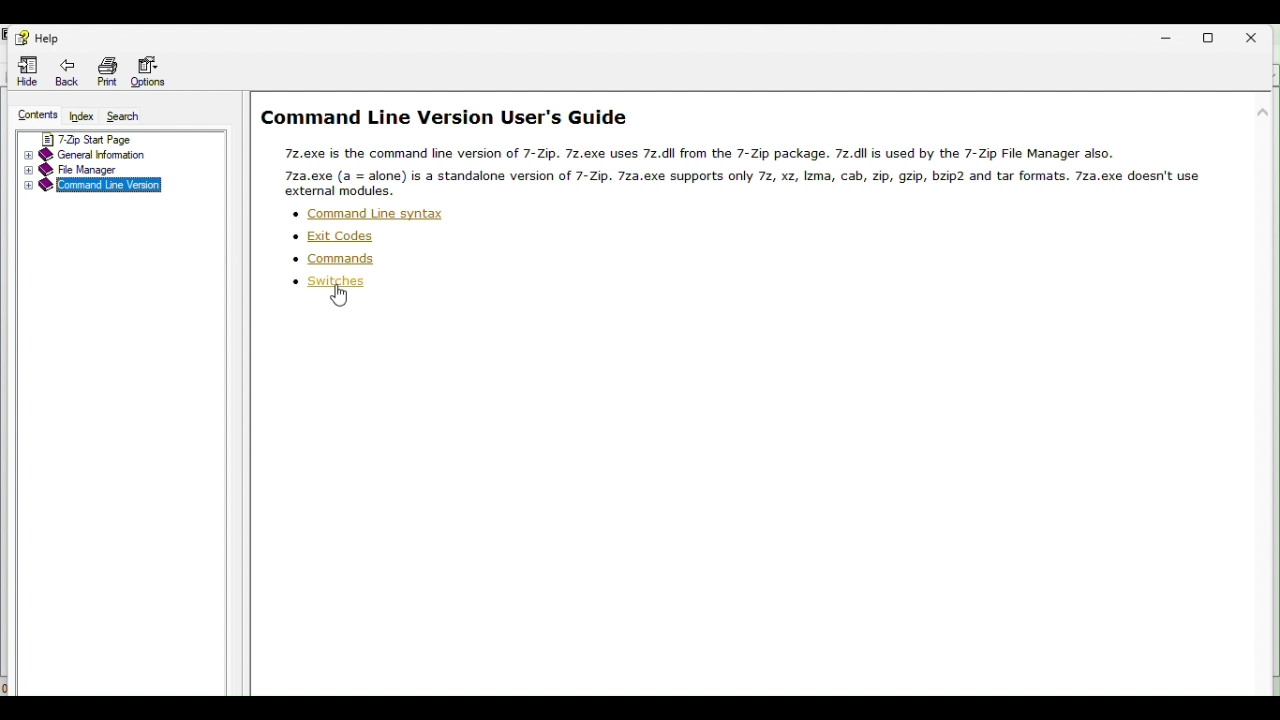 Image resolution: width=1280 pixels, height=720 pixels. I want to click on 7 zip start page, so click(122, 137).